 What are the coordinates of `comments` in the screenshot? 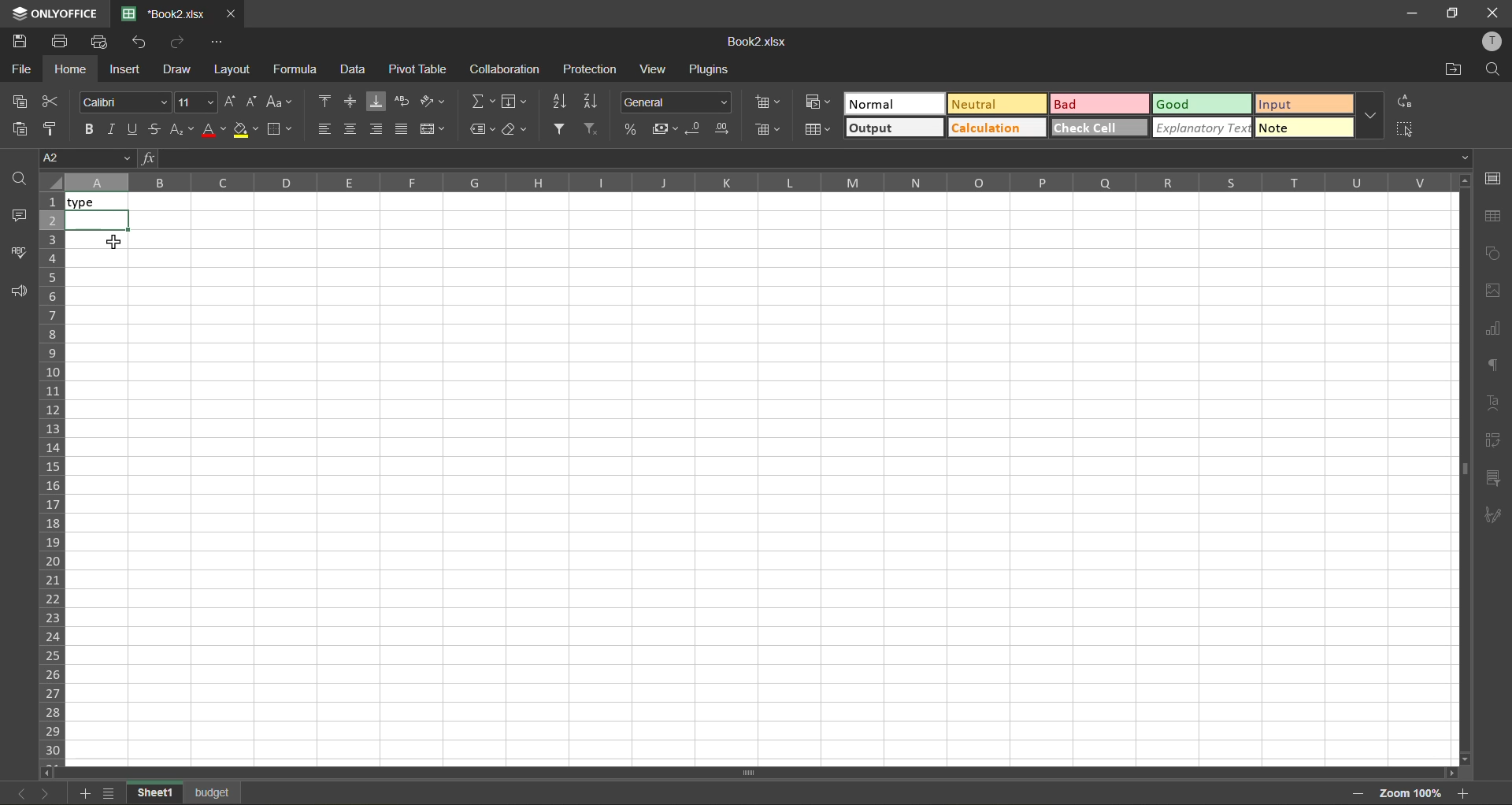 It's located at (17, 218).